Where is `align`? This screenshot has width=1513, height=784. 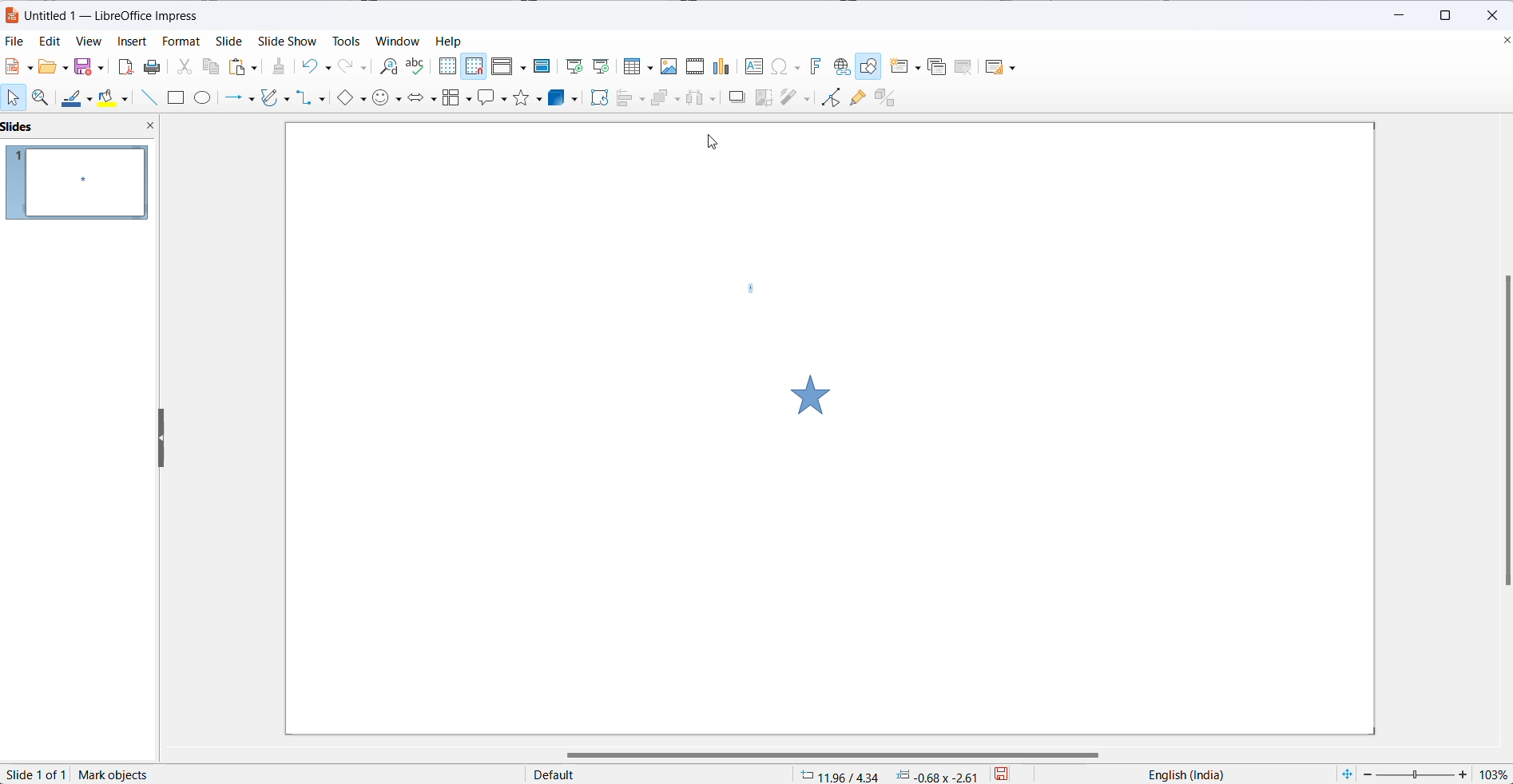 align is located at coordinates (631, 99).